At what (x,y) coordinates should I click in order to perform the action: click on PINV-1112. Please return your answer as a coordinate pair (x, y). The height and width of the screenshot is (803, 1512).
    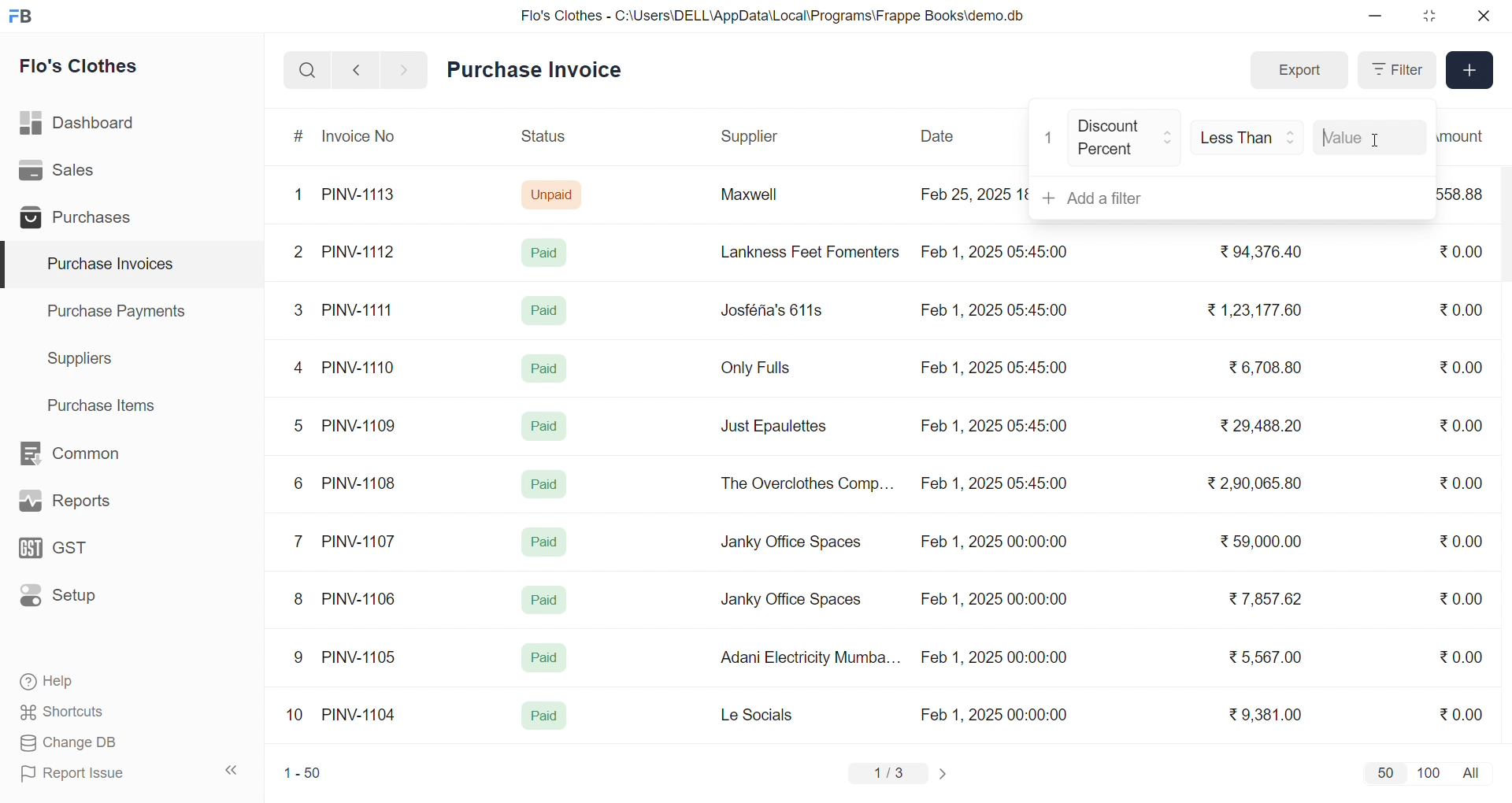
    Looking at the image, I should click on (358, 253).